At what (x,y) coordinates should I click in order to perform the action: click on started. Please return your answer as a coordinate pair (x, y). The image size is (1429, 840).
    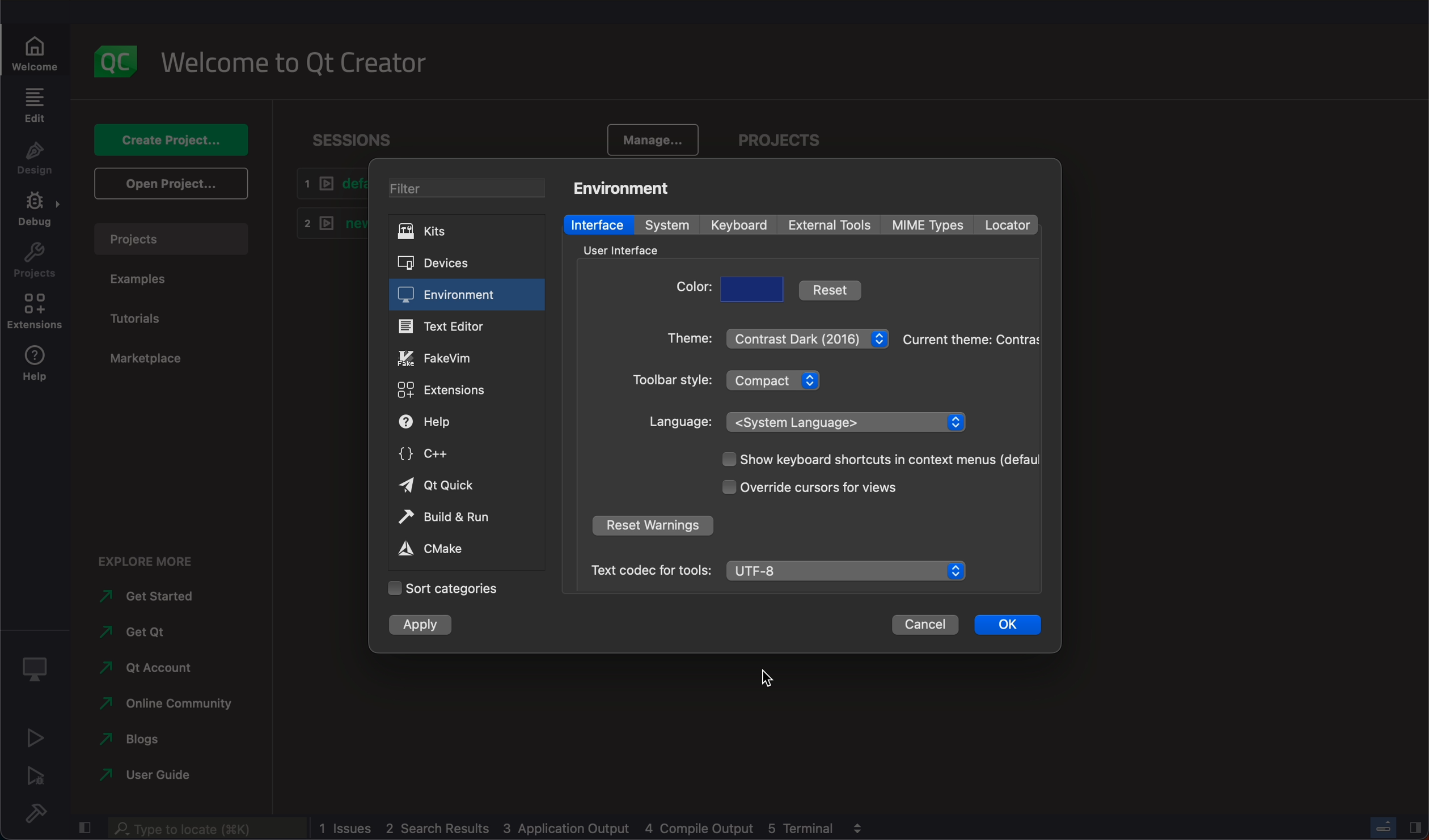
    Looking at the image, I should click on (155, 596).